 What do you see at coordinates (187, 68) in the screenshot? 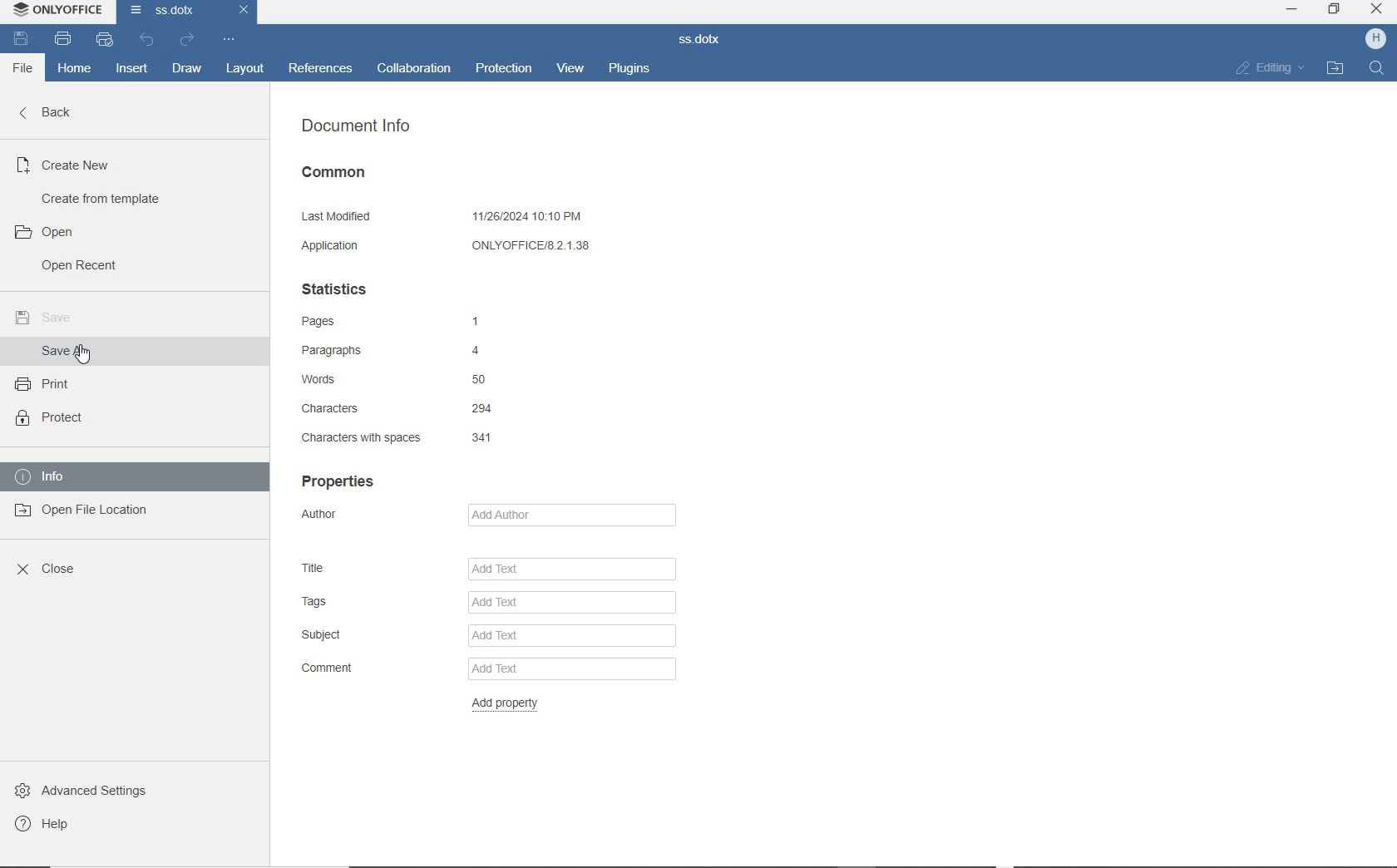
I see `DRAW` at bounding box center [187, 68].